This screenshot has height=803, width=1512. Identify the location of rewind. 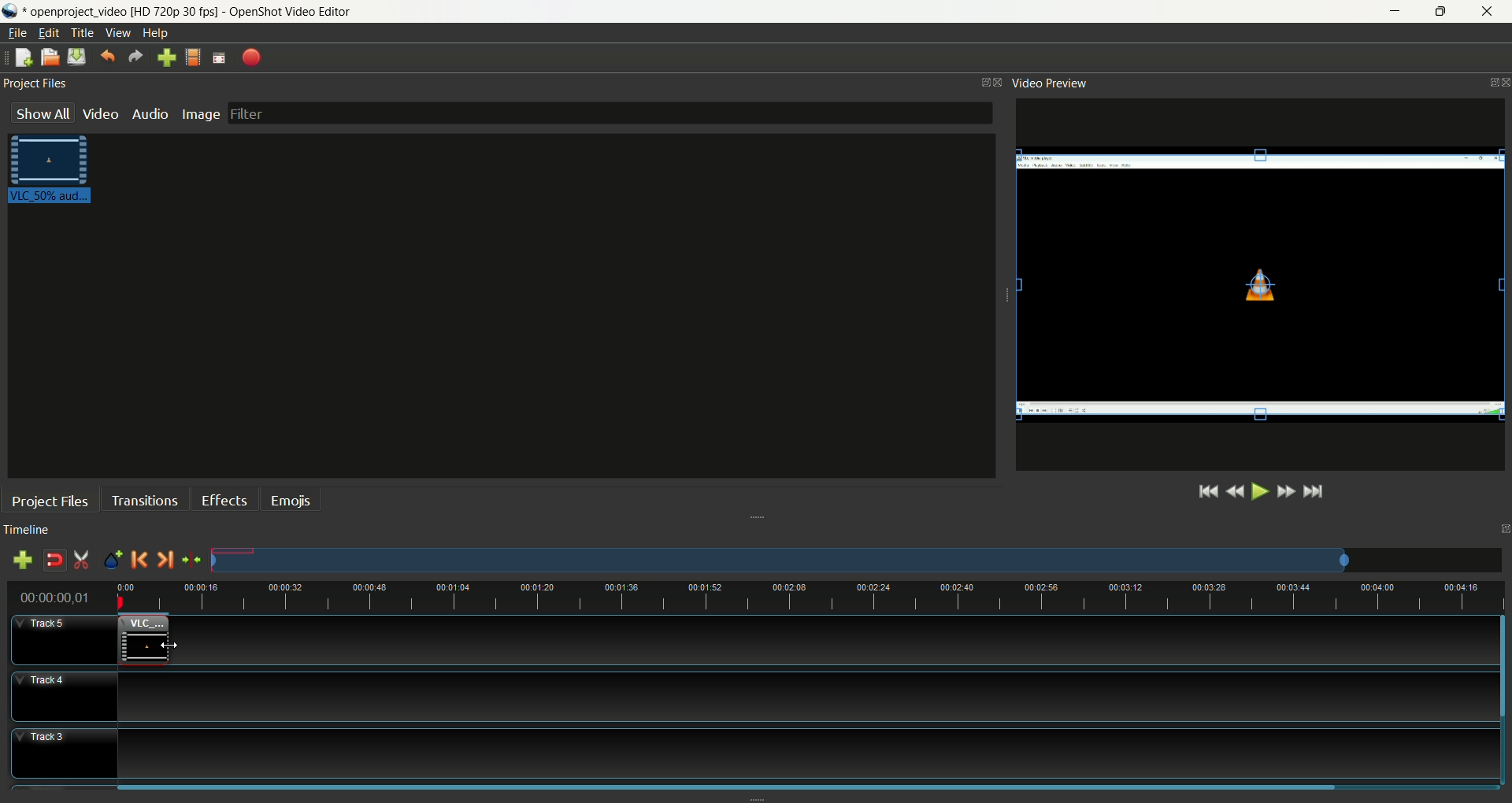
(1235, 493).